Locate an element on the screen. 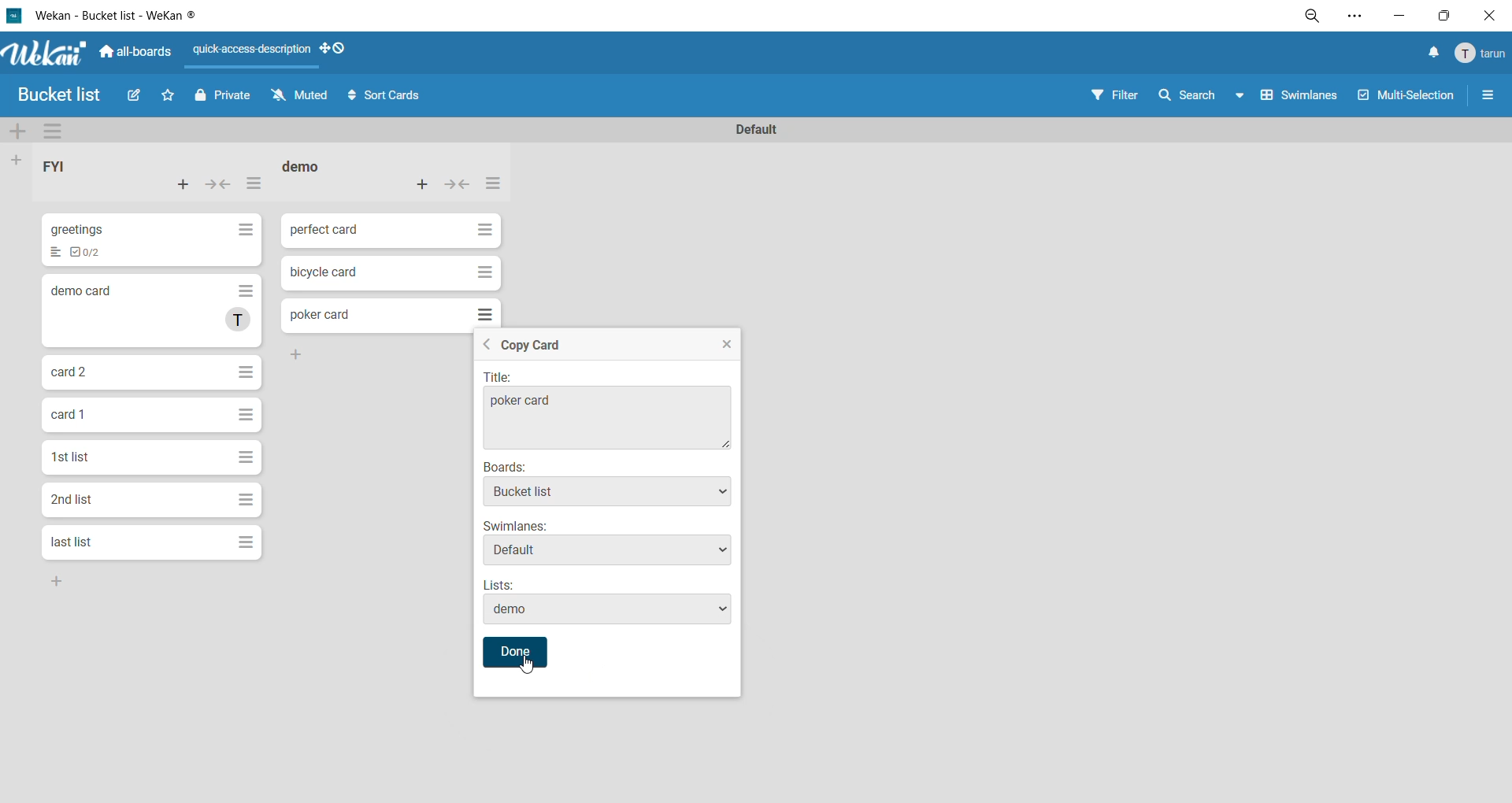 The height and width of the screenshot is (803, 1512). Hamburger is located at coordinates (244, 543).